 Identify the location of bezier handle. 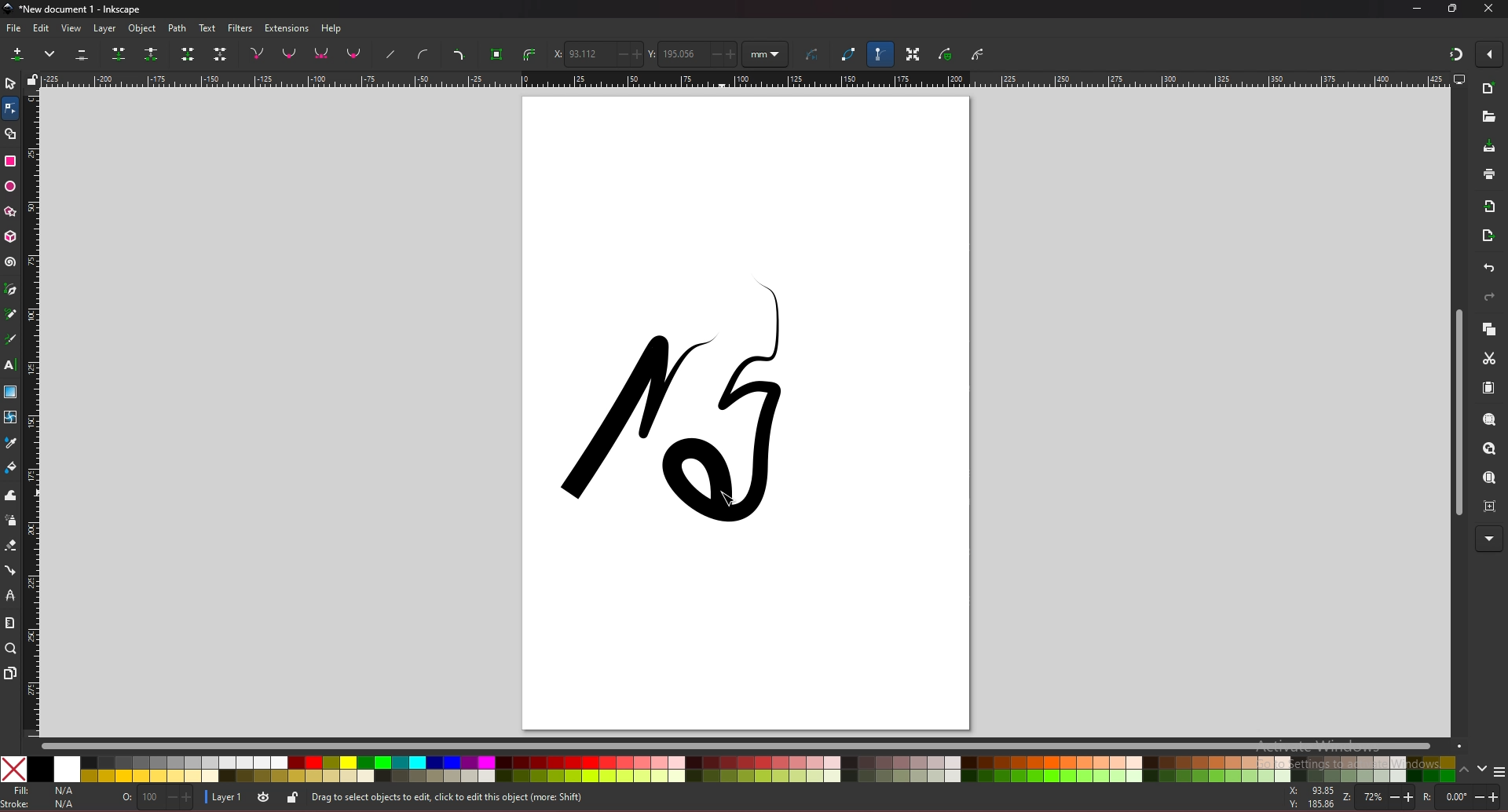
(879, 53).